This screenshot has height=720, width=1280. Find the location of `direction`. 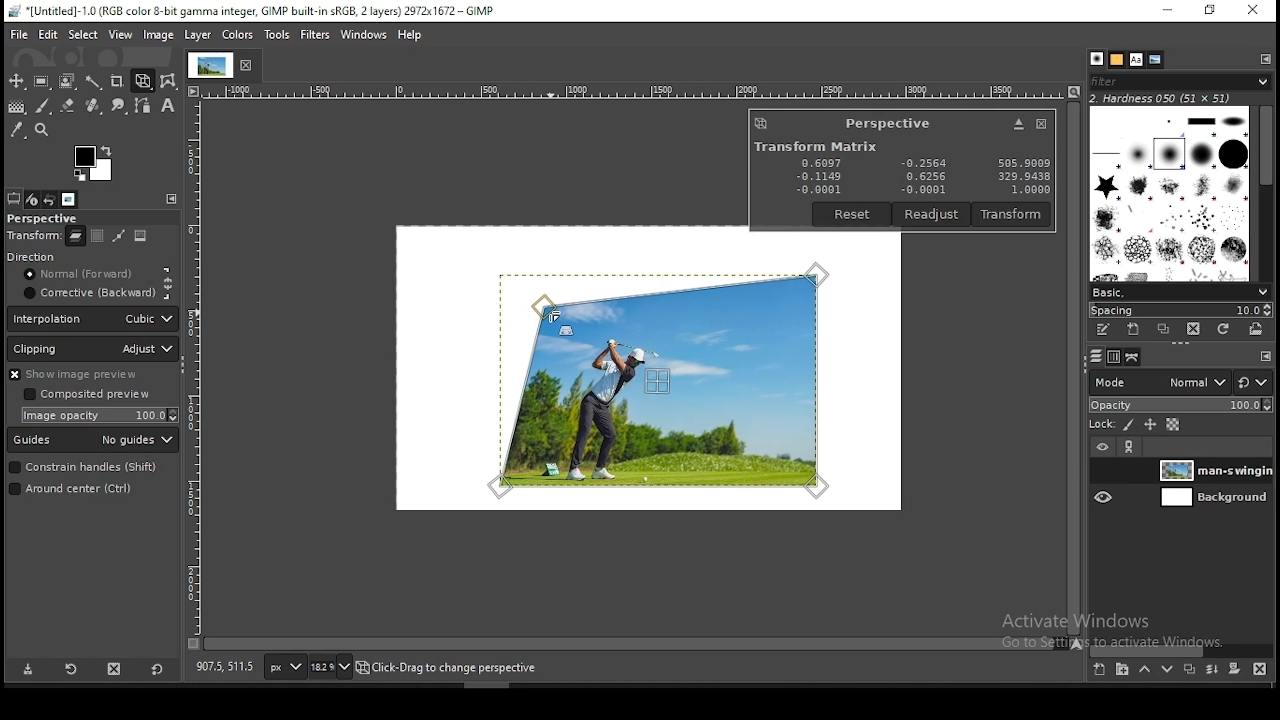

direction is located at coordinates (57, 258).